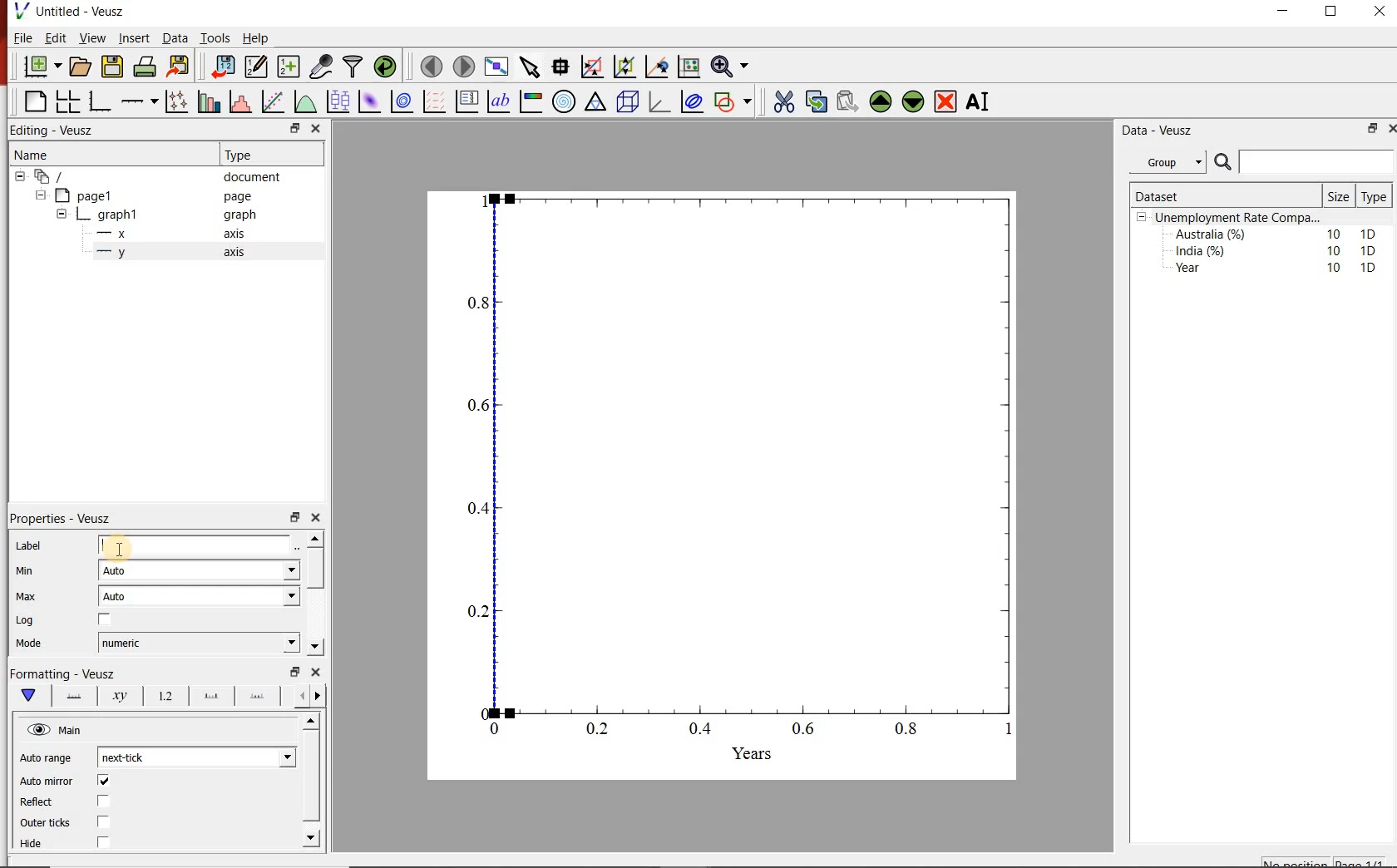  I want to click on read the data points, so click(562, 66).